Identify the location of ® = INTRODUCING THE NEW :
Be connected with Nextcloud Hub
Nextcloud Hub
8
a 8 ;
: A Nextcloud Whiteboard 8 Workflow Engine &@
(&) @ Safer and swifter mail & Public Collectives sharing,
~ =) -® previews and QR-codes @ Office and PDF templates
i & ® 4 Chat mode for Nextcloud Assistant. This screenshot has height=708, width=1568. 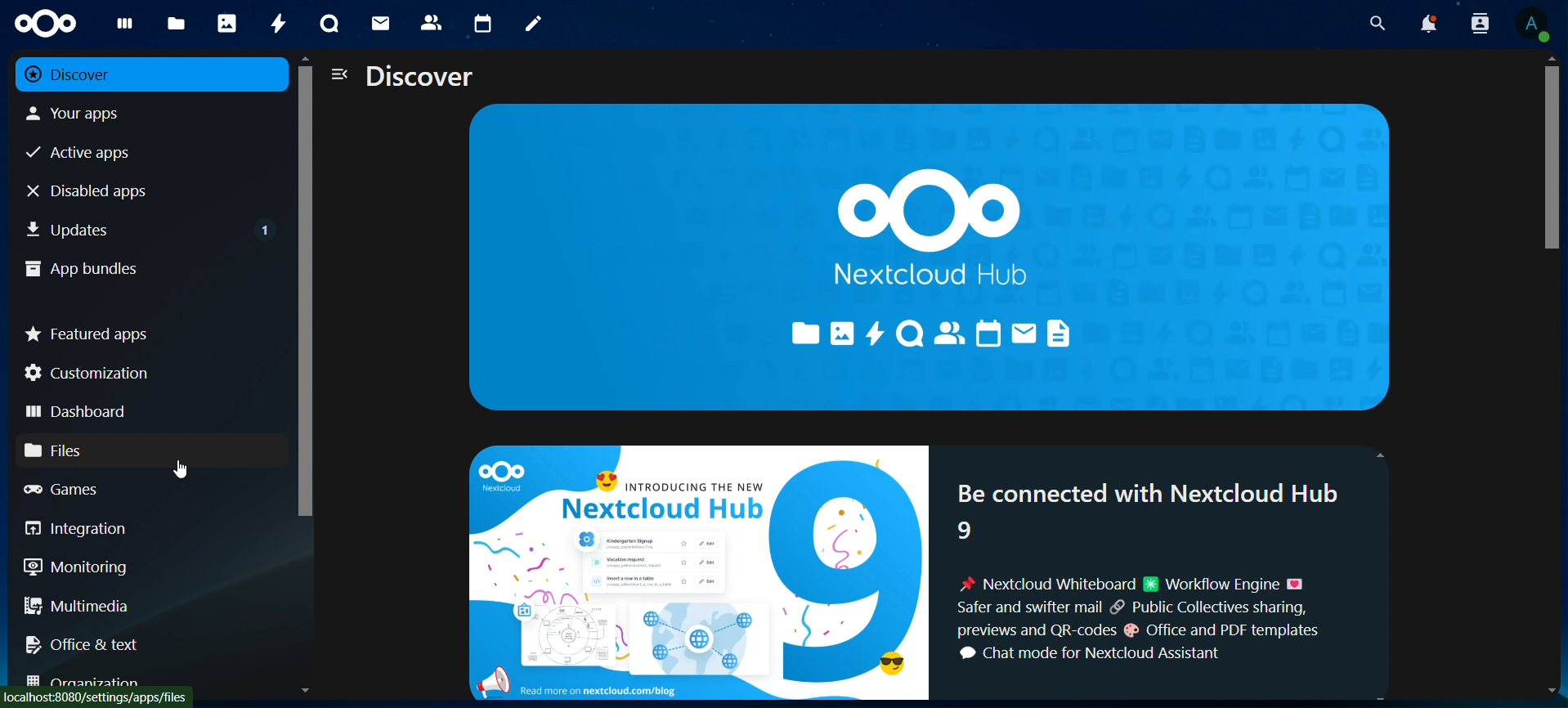
(925, 572).